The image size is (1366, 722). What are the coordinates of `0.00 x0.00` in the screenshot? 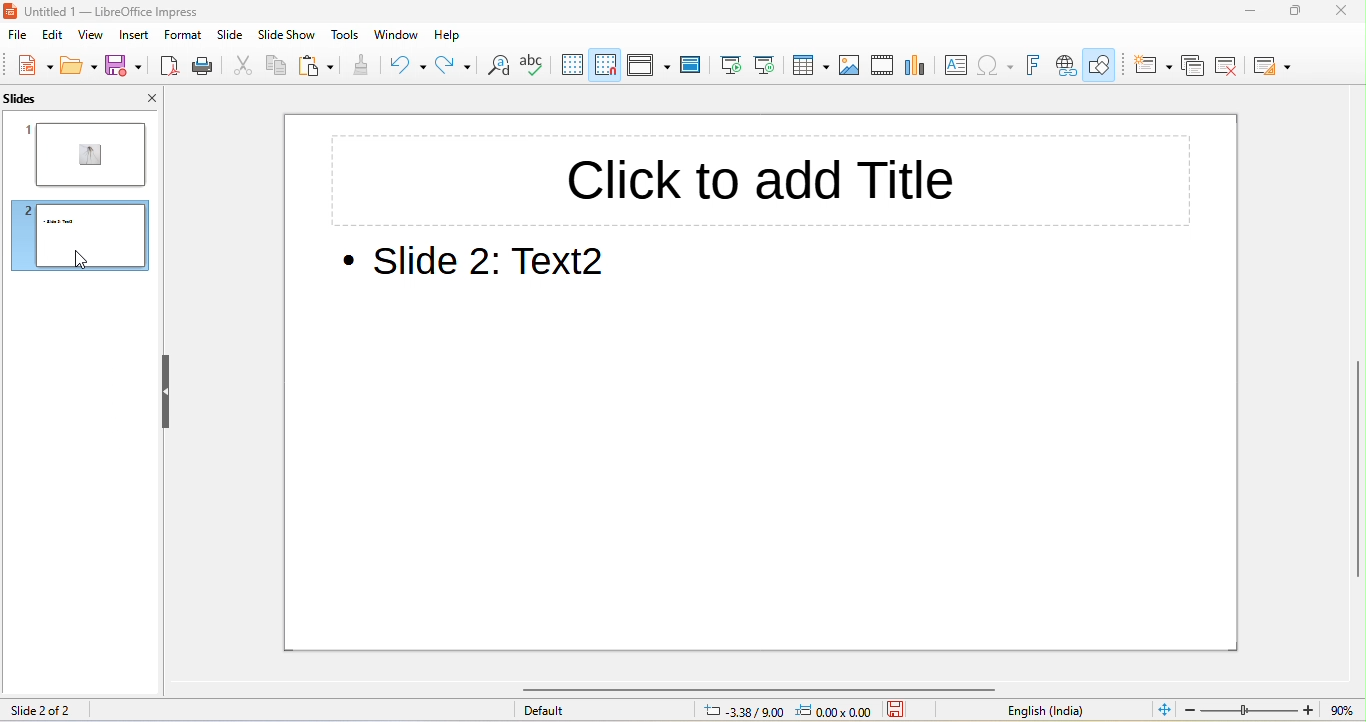 It's located at (836, 710).